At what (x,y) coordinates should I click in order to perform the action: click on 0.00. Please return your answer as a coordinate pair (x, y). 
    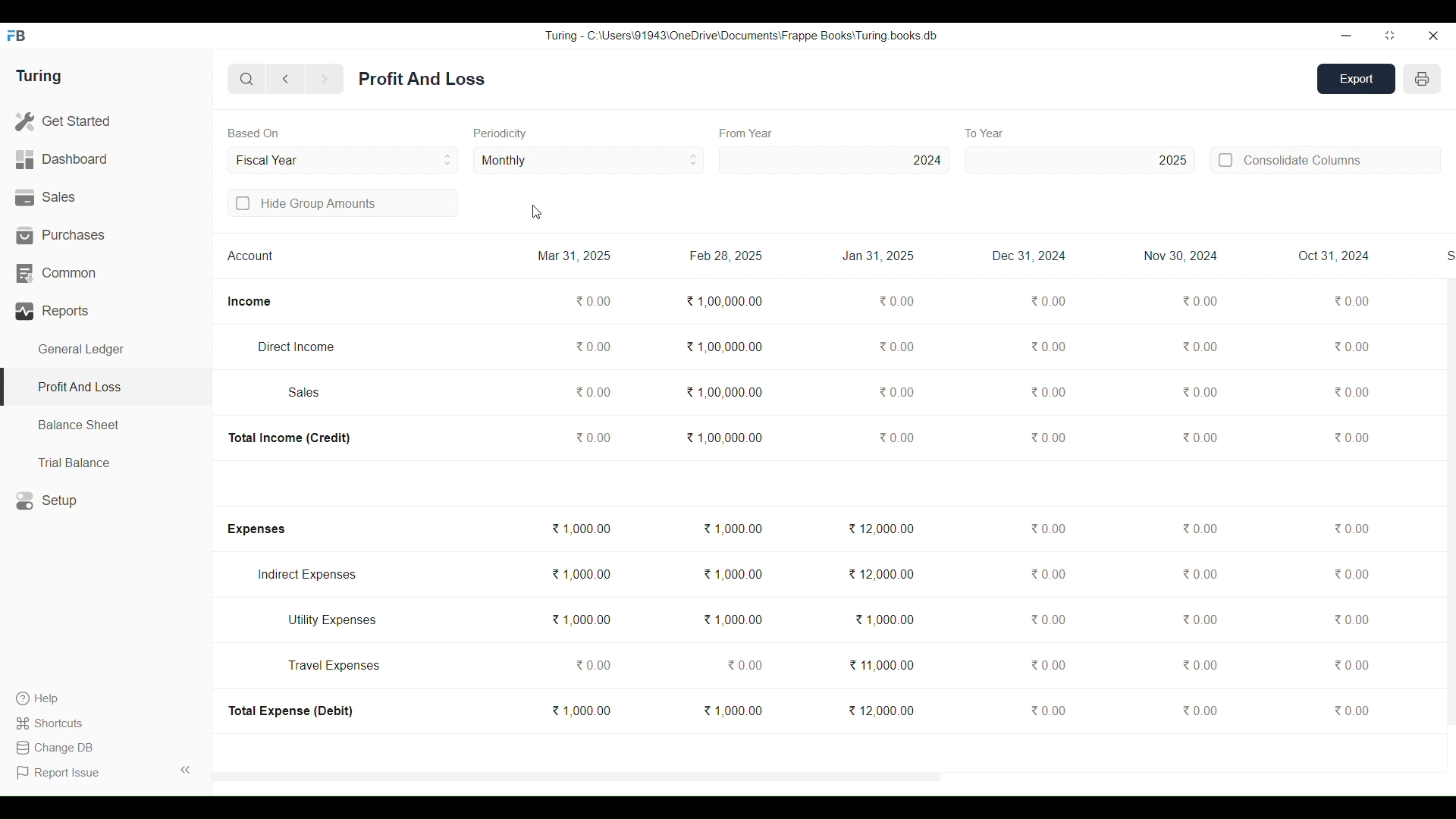
    Looking at the image, I should click on (1200, 574).